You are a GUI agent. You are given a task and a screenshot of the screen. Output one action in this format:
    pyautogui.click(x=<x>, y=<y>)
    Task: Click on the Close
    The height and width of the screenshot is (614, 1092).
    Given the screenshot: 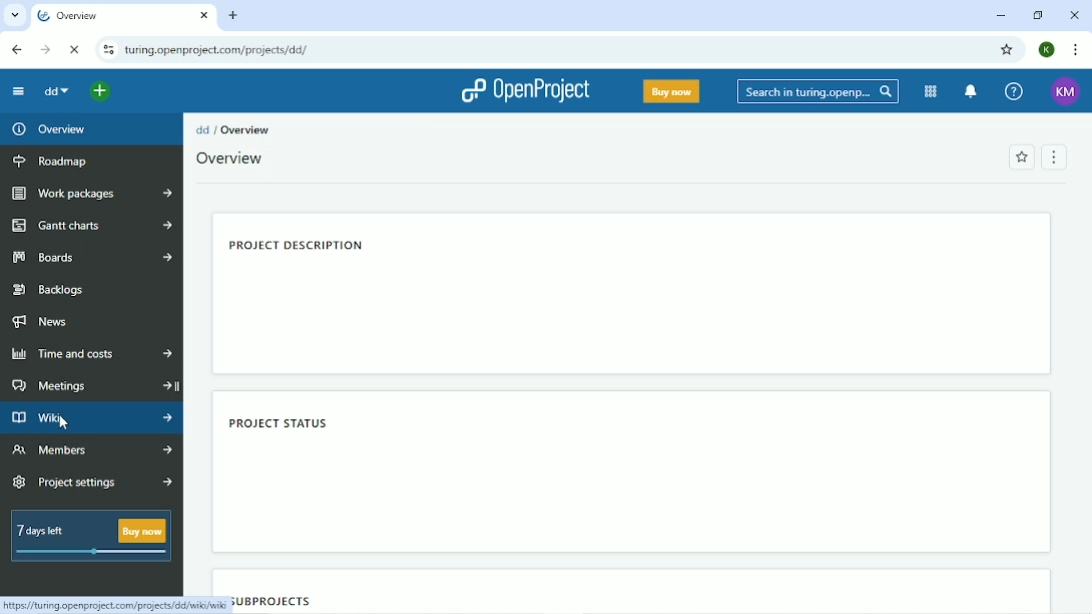 What is the action you would take?
    pyautogui.click(x=1074, y=15)
    